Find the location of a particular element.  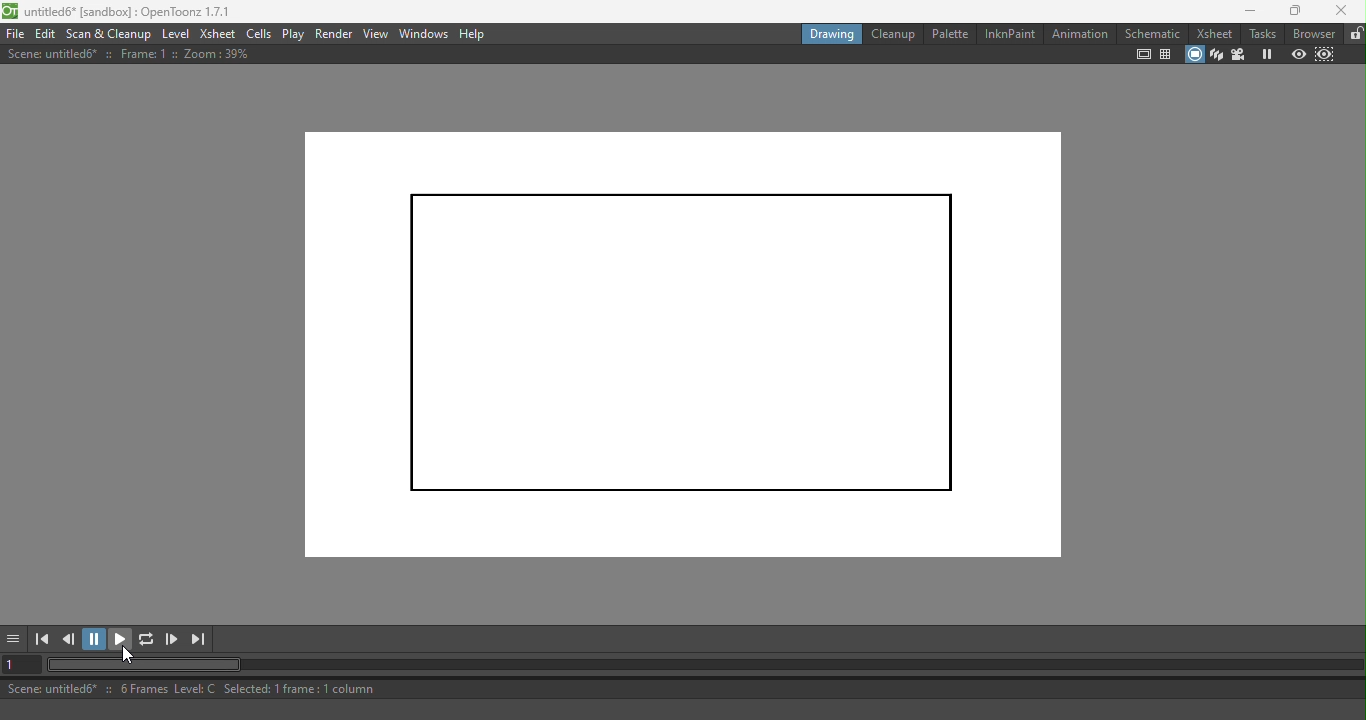

Render is located at coordinates (335, 35).